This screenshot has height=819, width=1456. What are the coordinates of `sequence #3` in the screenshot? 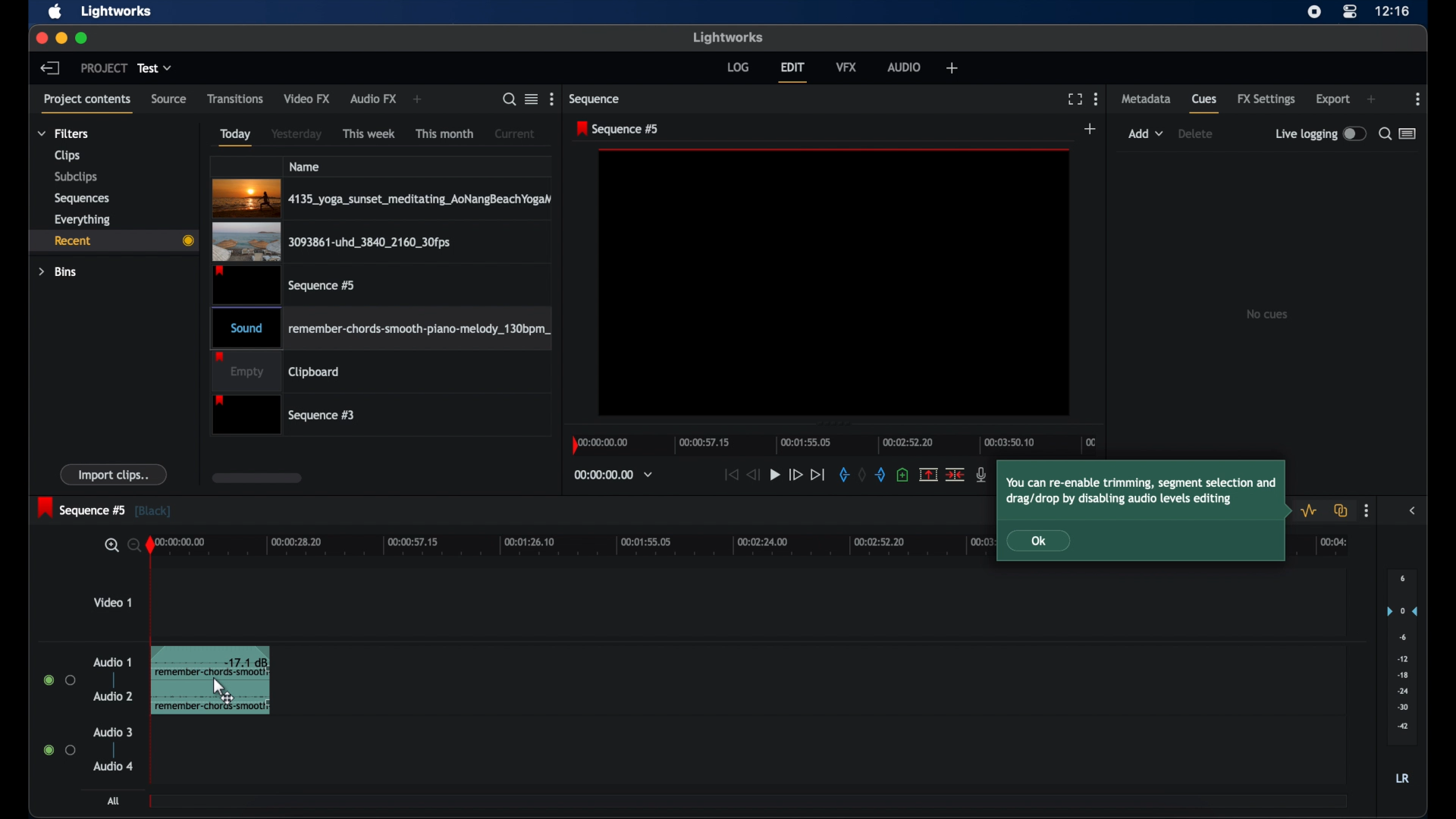 It's located at (286, 416).